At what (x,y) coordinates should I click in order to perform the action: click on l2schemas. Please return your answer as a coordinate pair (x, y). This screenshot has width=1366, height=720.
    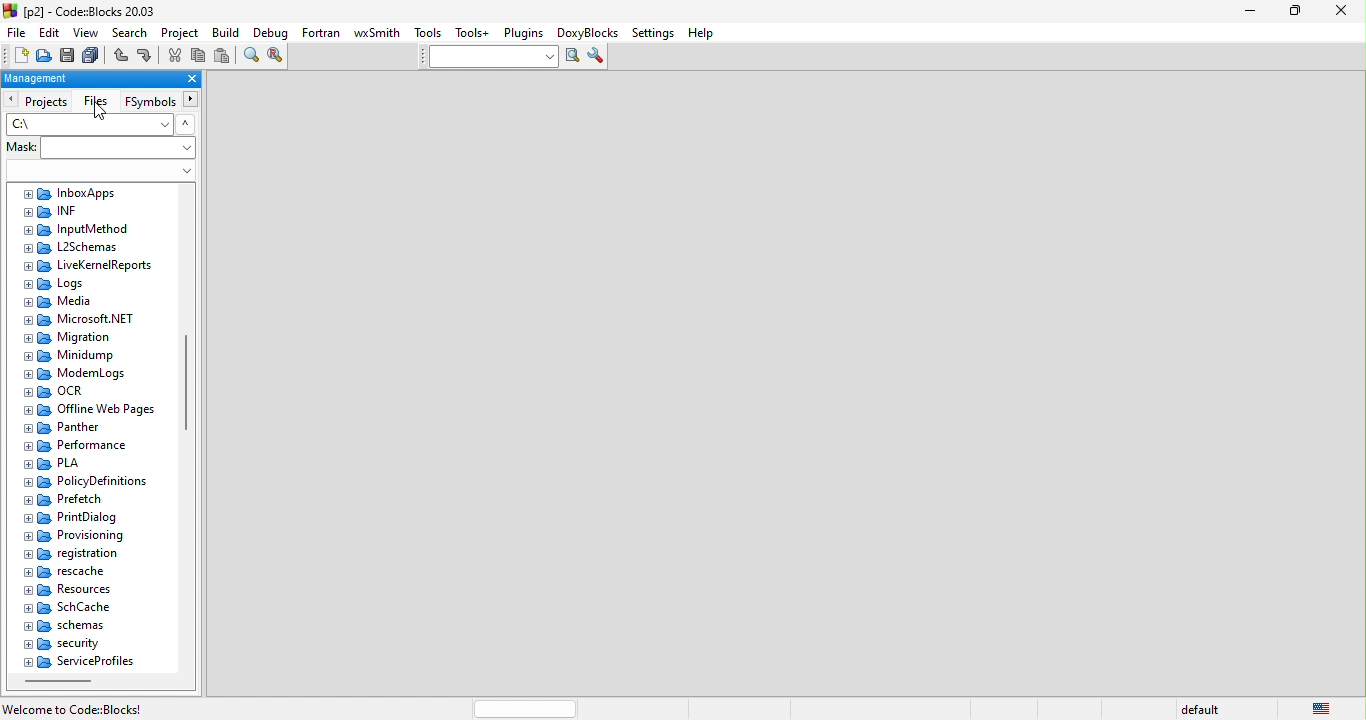
    Looking at the image, I should click on (88, 247).